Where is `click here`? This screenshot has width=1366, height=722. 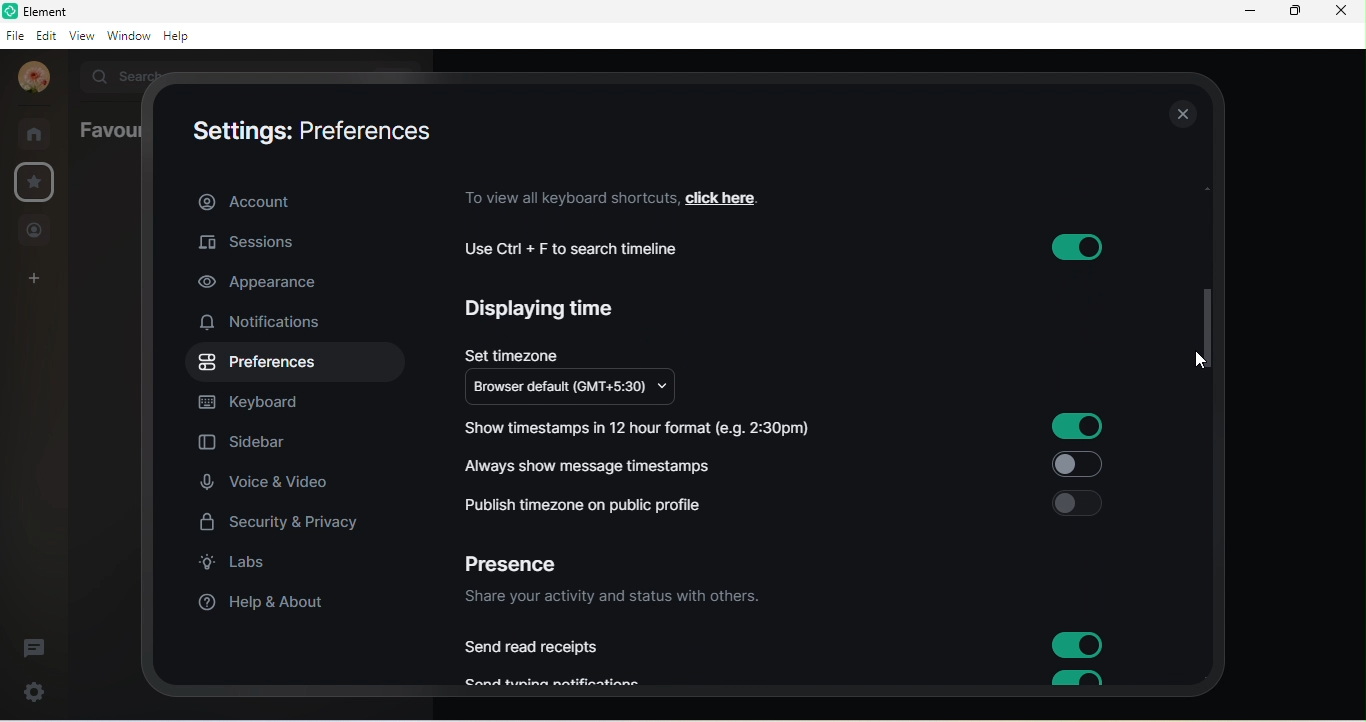 click here is located at coordinates (735, 196).